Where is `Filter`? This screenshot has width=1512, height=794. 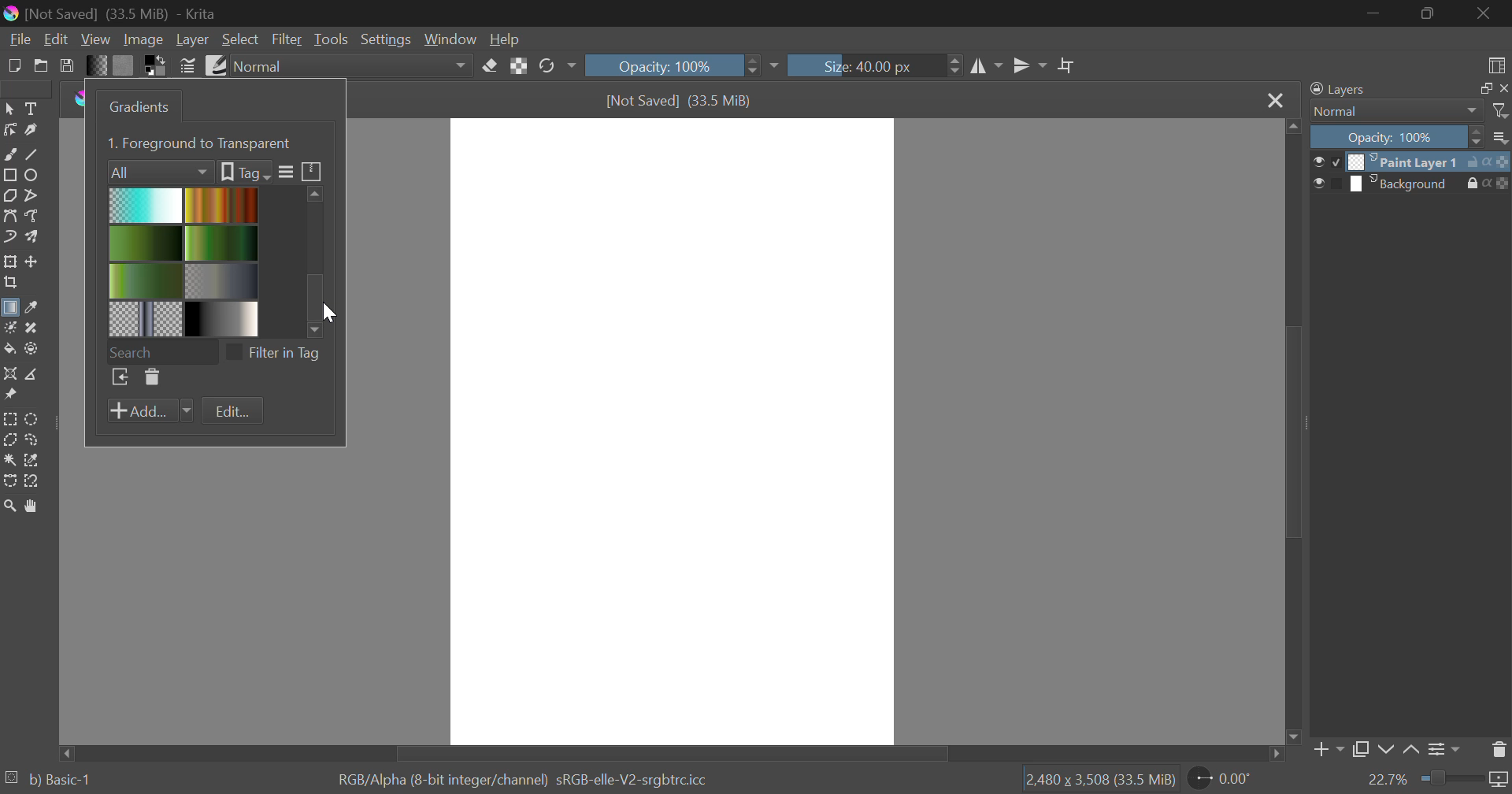 Filter is located at coordinates (288, 39).